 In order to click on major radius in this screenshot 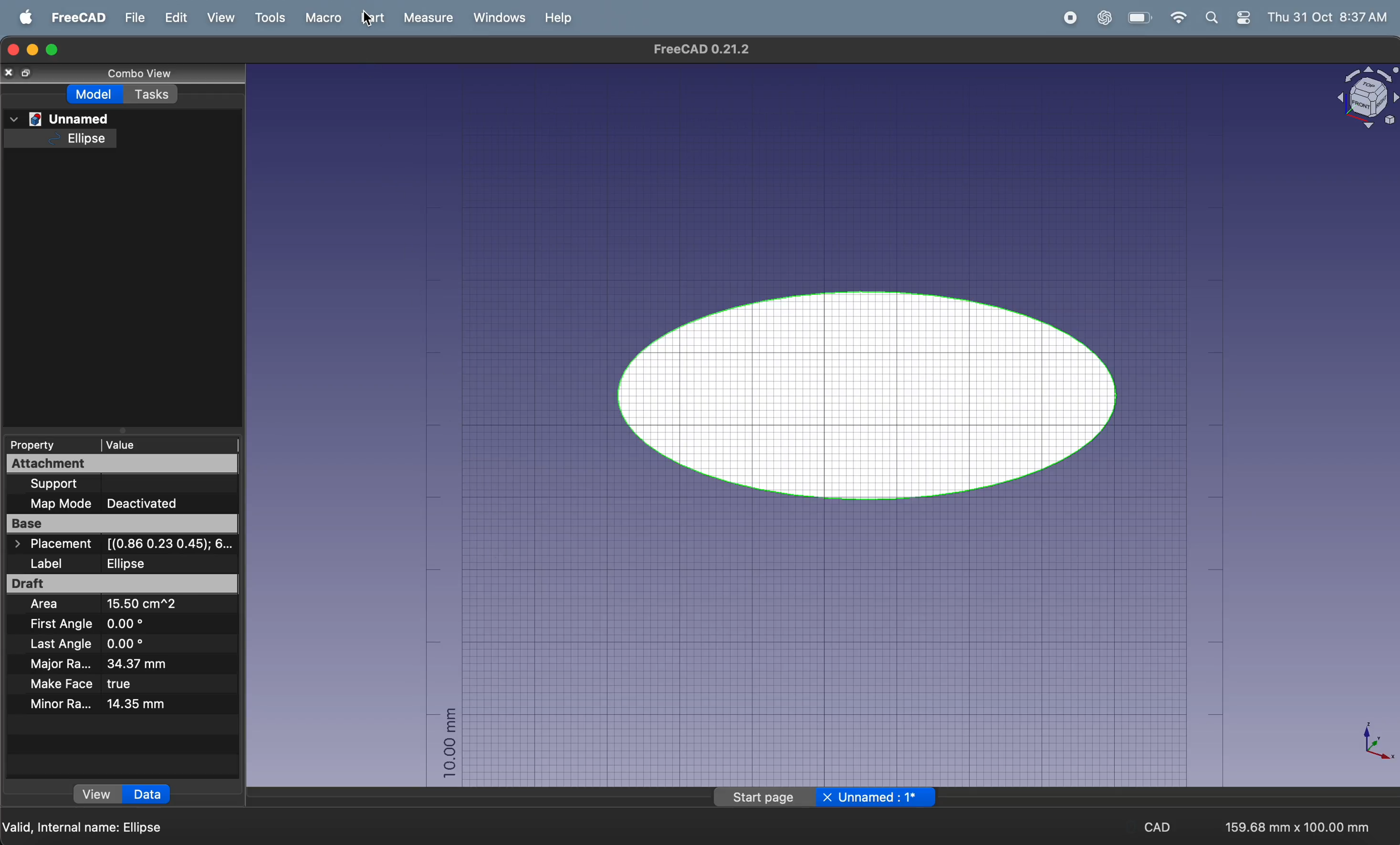, I will do `click(116, 664)`.